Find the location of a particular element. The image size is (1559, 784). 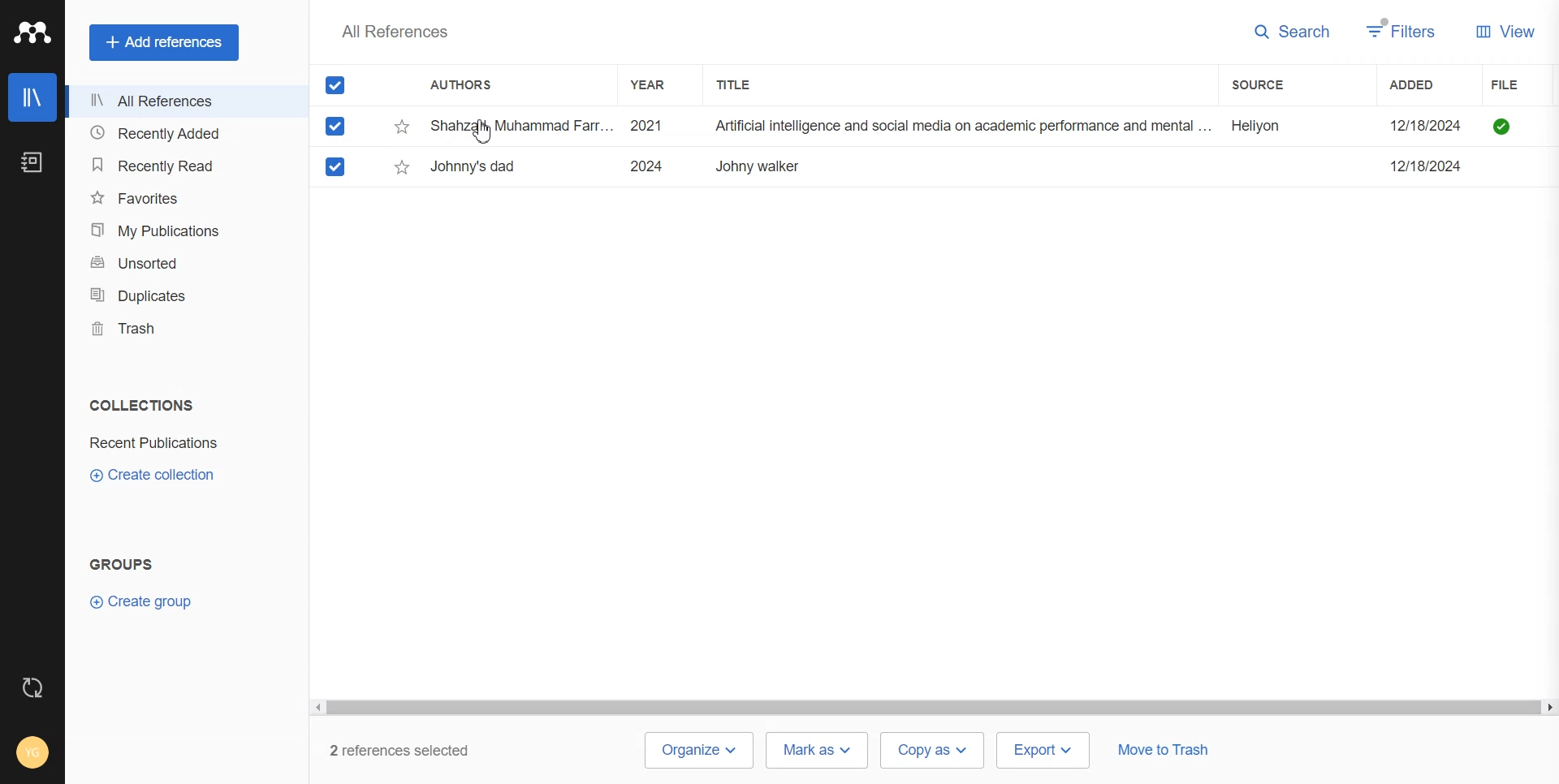

Recently Added is located at coordinates (181, 134).